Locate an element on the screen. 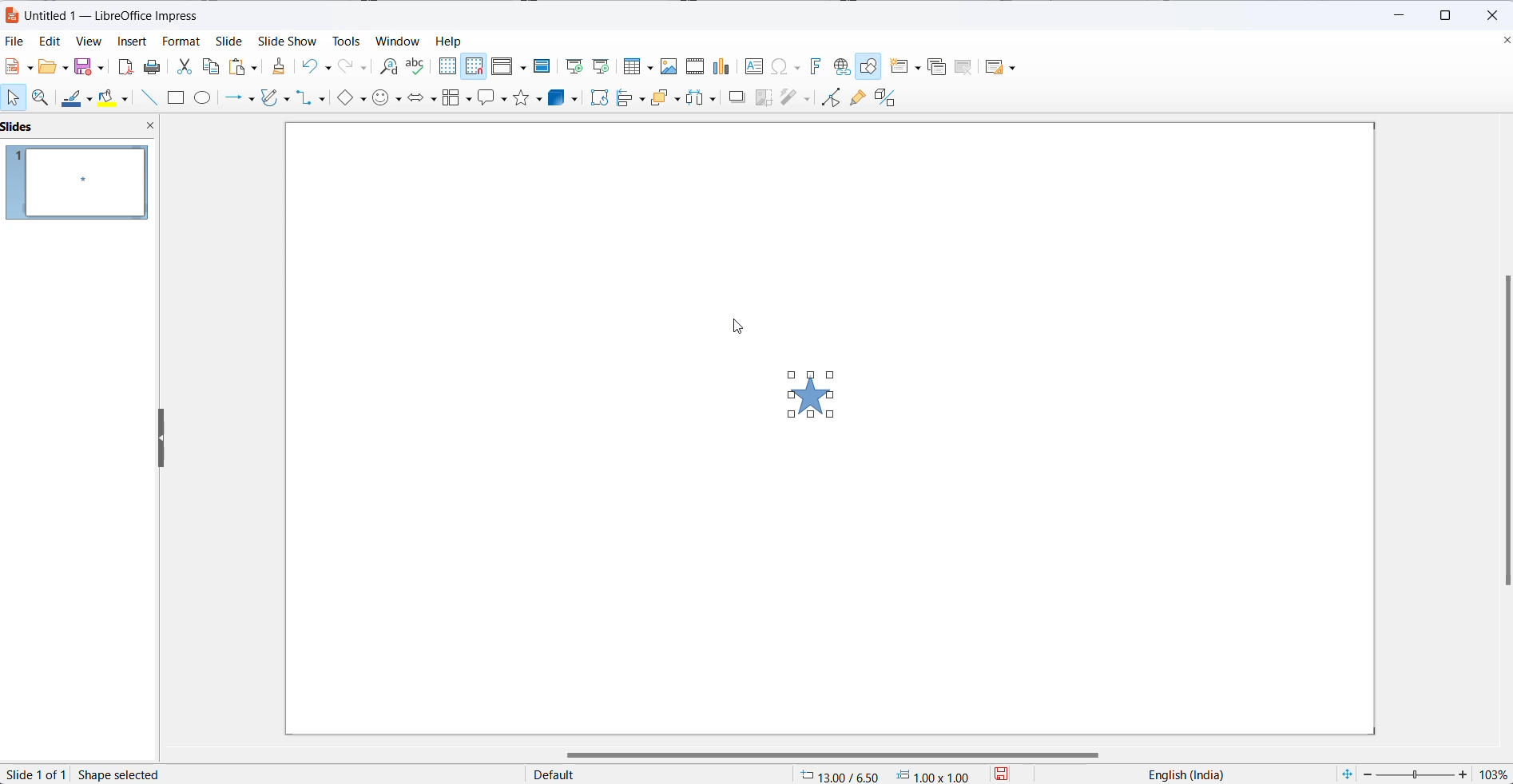  format is located at coordinates (182, 41).